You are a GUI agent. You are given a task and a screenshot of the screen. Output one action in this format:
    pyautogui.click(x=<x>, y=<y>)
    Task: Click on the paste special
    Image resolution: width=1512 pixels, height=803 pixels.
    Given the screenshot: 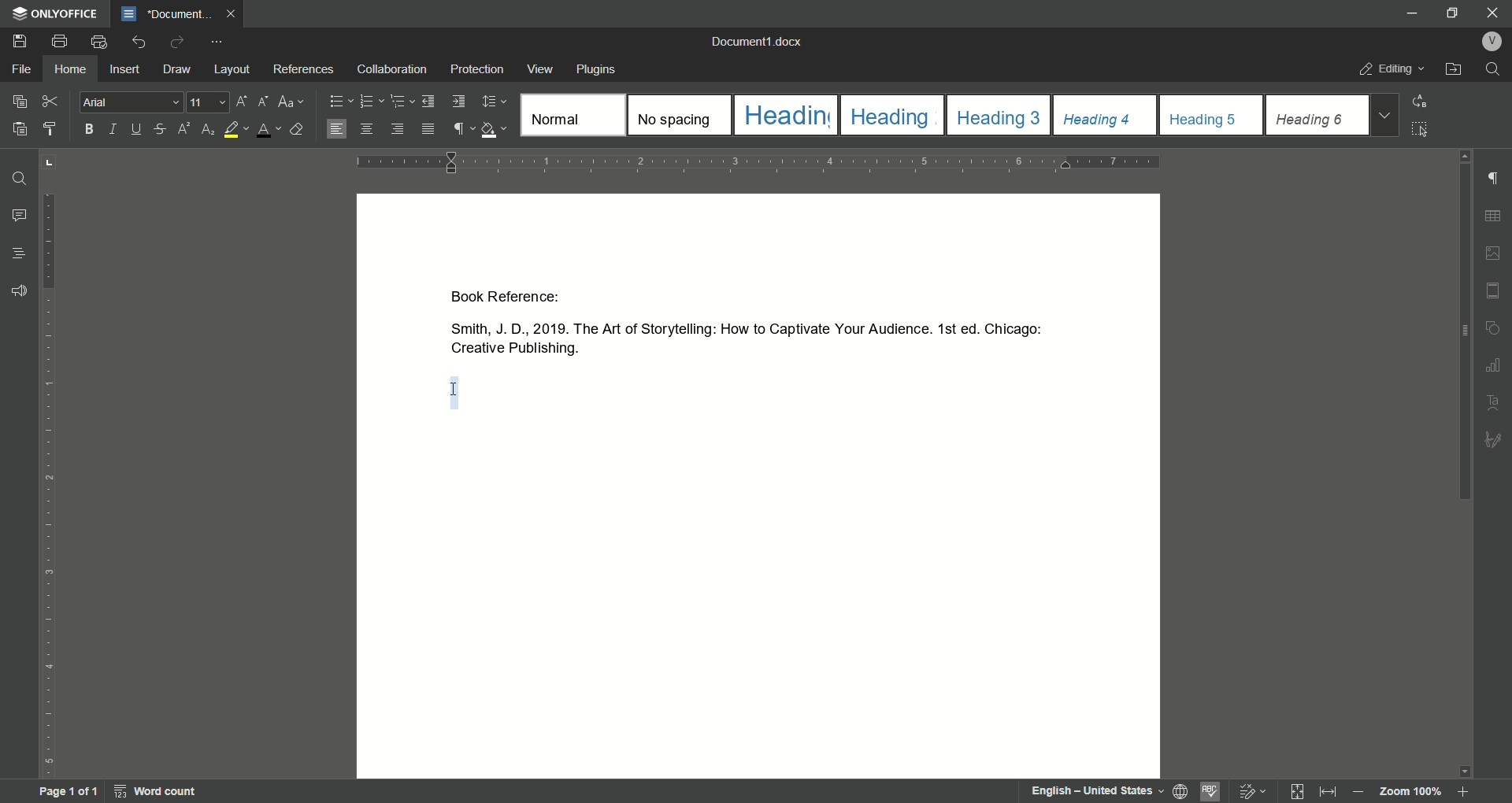 What is the action you would take?
    pyautogui.click(x=20, y=100)
    